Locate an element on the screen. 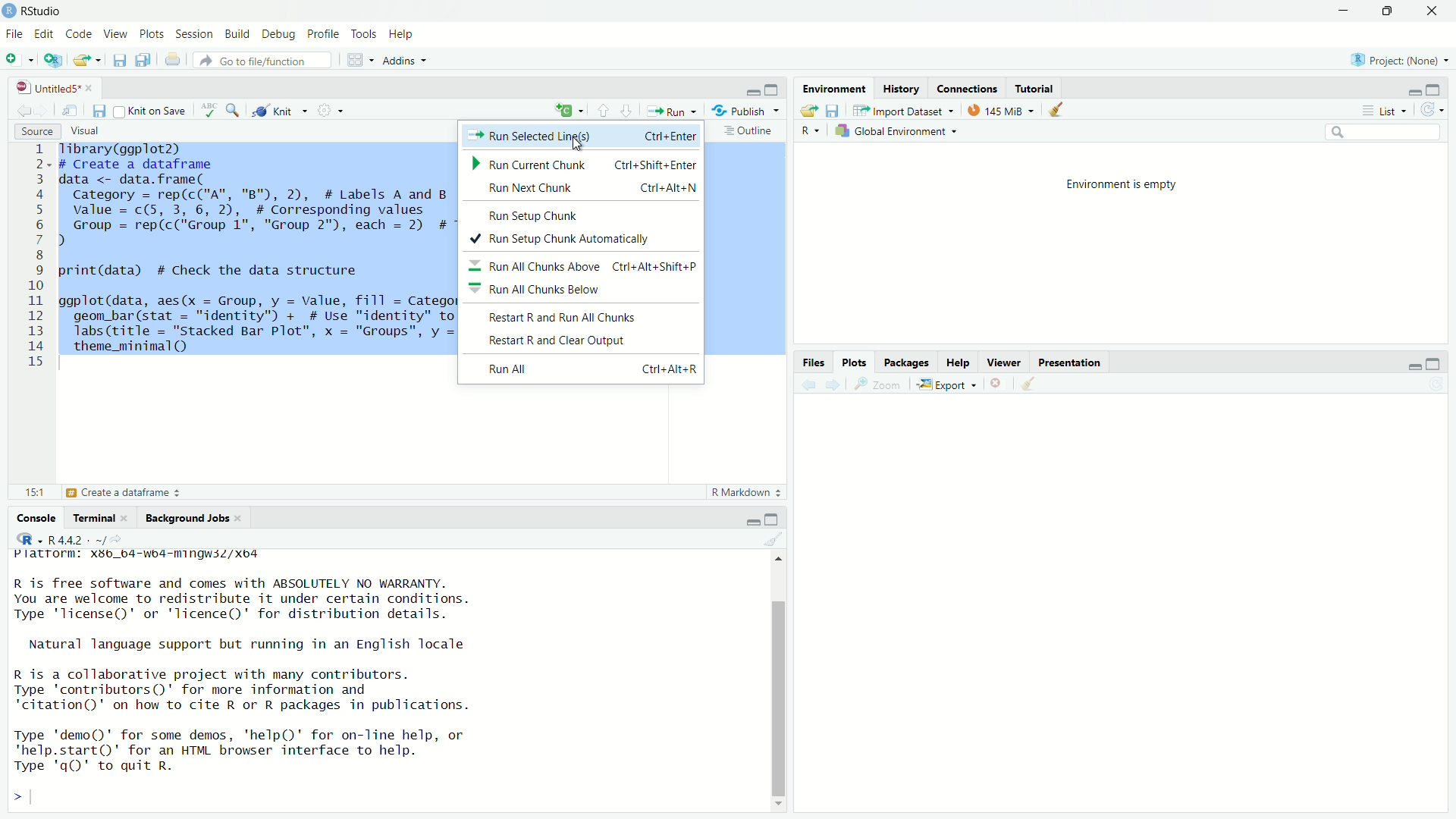 The image size is (1456, 819). Create a dataframe is located at coordinates (122, 494).